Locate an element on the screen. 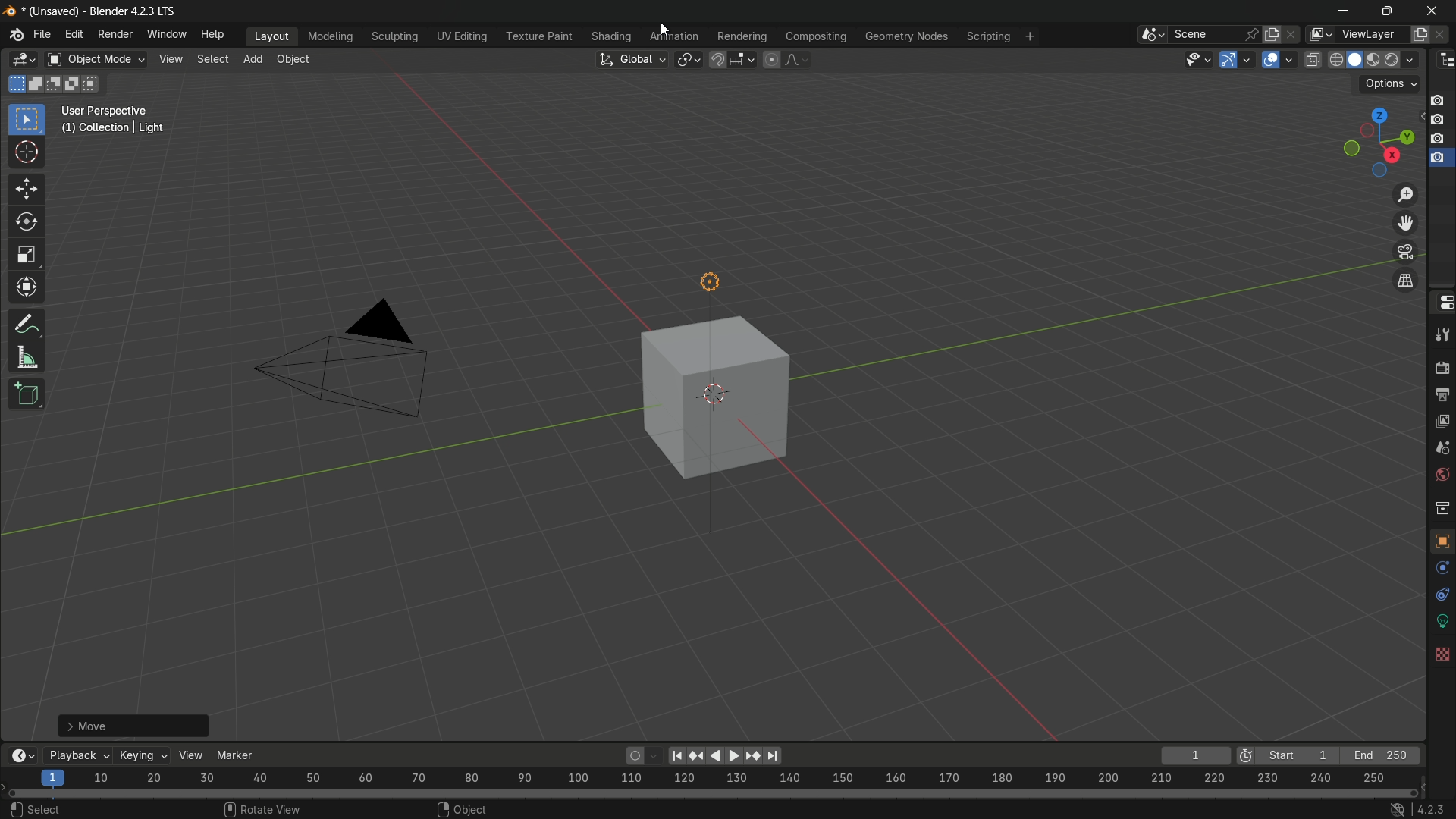 The height and width of the screenshot is (819, 1456). animation menu is located at coordinates (675, 36).